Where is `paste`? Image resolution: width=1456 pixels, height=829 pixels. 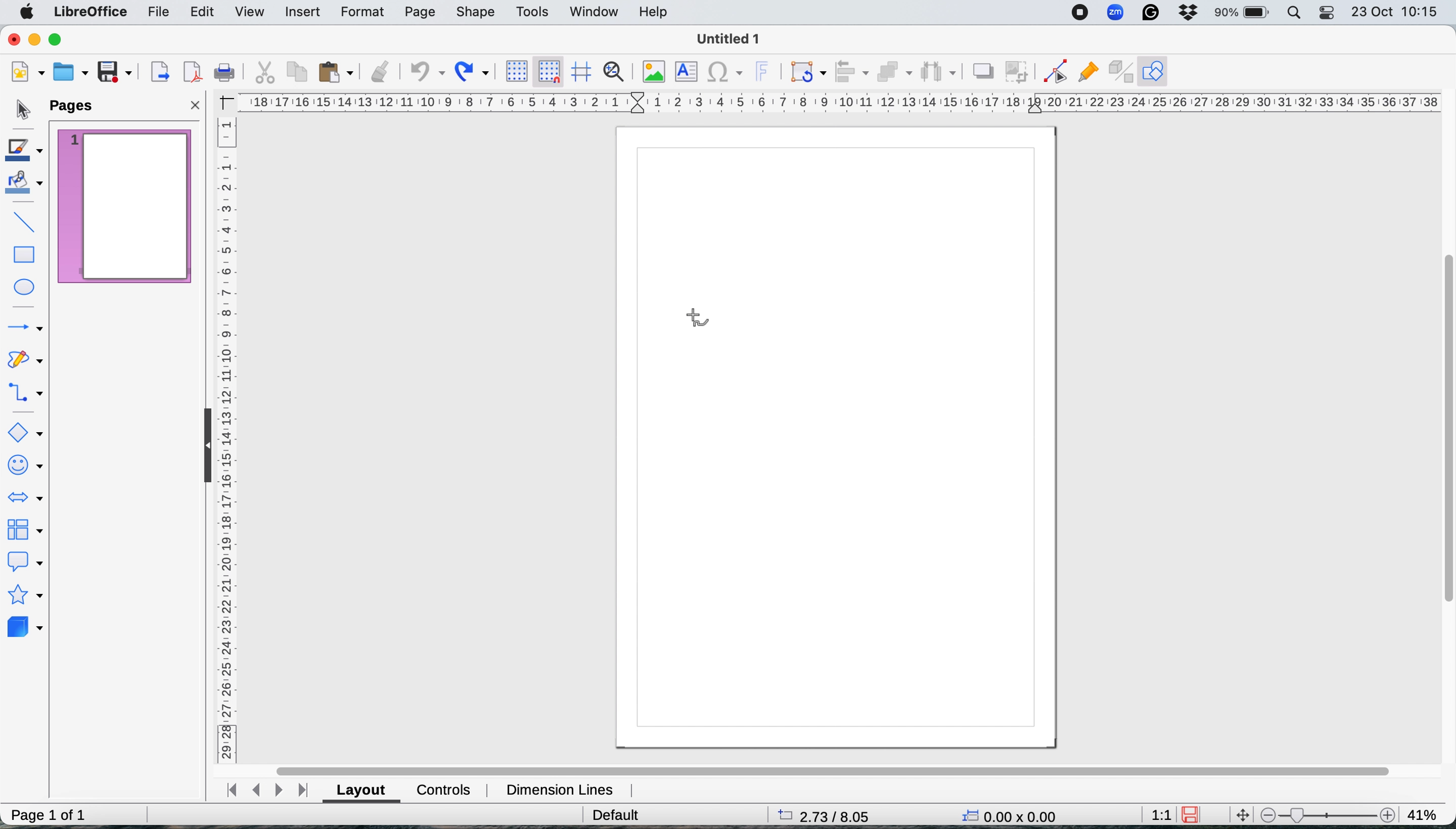 paste is located at coordinates (338, 73).